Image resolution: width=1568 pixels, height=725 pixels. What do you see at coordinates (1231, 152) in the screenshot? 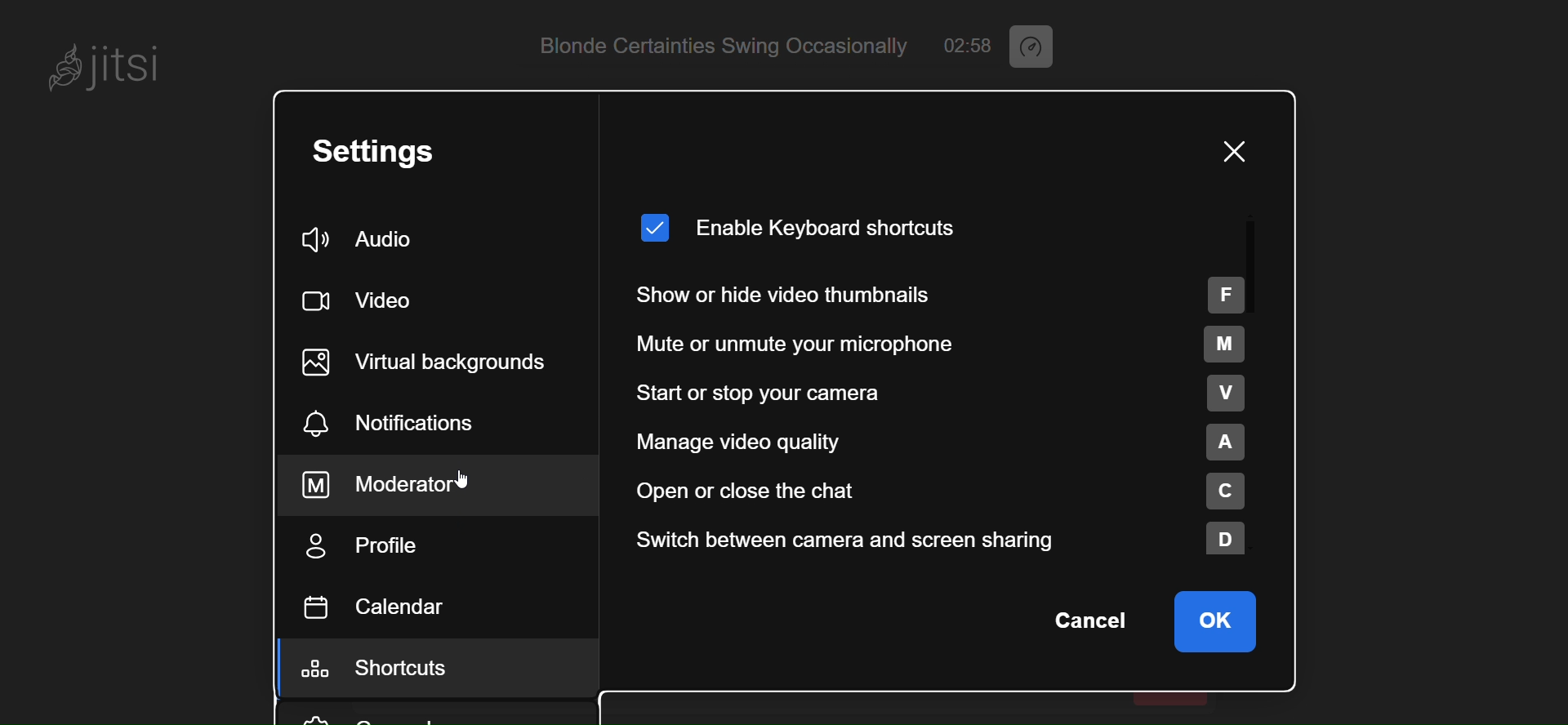
I see `close window` at bounding box center [1231, 152].